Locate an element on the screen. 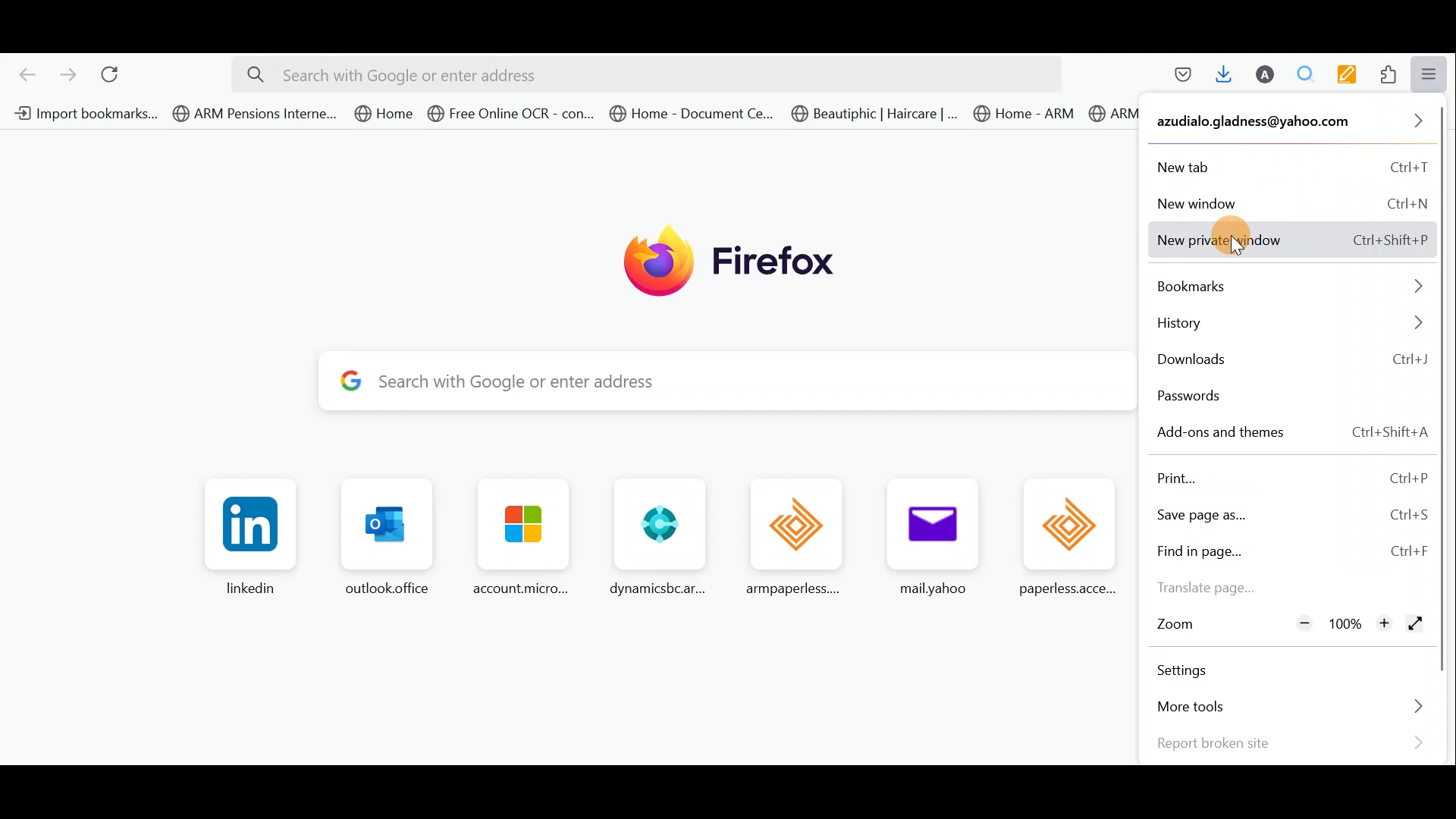  Passwords is located at coordinates (1239, 398).